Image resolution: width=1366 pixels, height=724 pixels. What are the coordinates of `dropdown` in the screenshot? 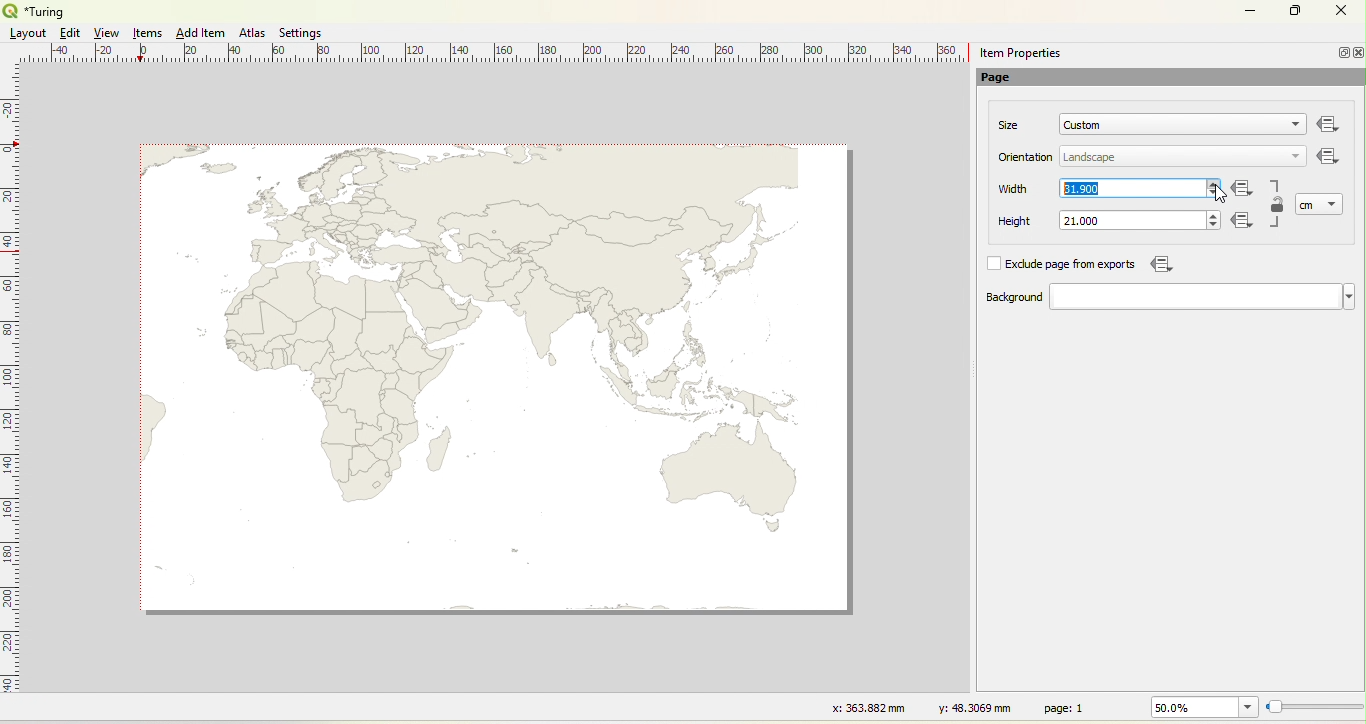 It's located at (1291, 126).